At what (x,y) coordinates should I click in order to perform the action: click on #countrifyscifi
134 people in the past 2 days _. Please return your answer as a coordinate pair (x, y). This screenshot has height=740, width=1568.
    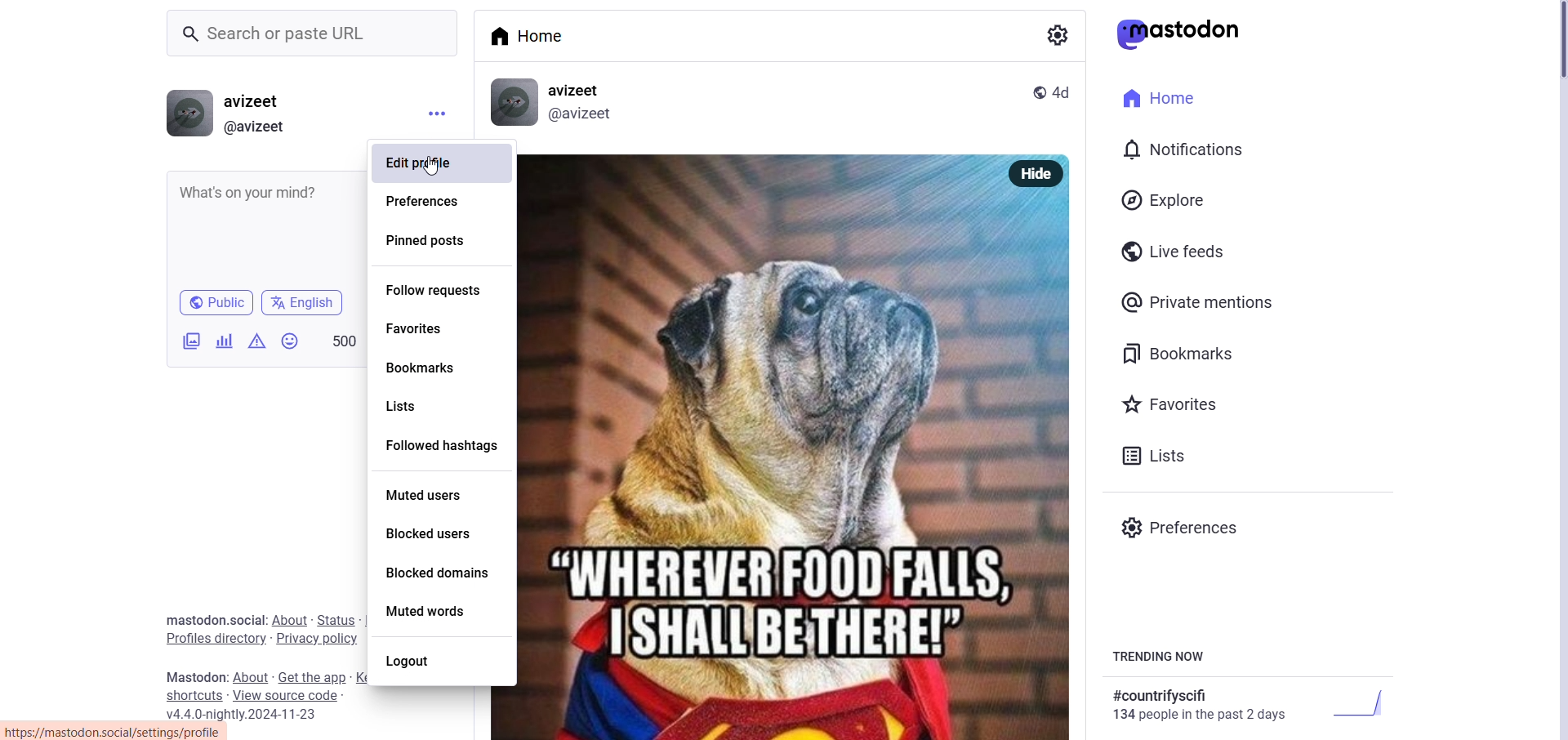
    Looking at the image, I should click on (1245, 705).